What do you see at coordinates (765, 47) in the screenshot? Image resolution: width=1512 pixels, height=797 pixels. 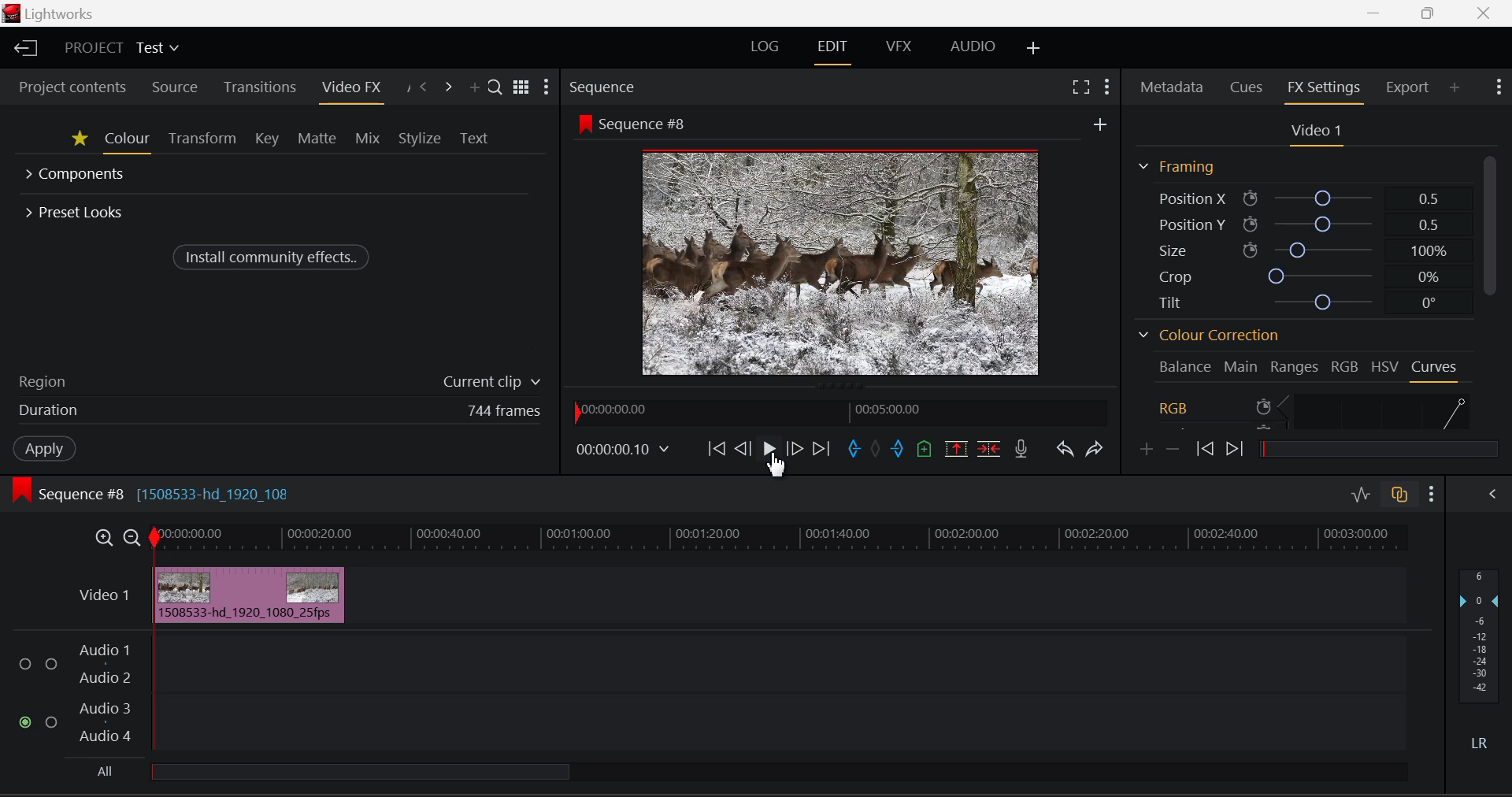 I see `LOG Layout` at bounding box center [765, 47].